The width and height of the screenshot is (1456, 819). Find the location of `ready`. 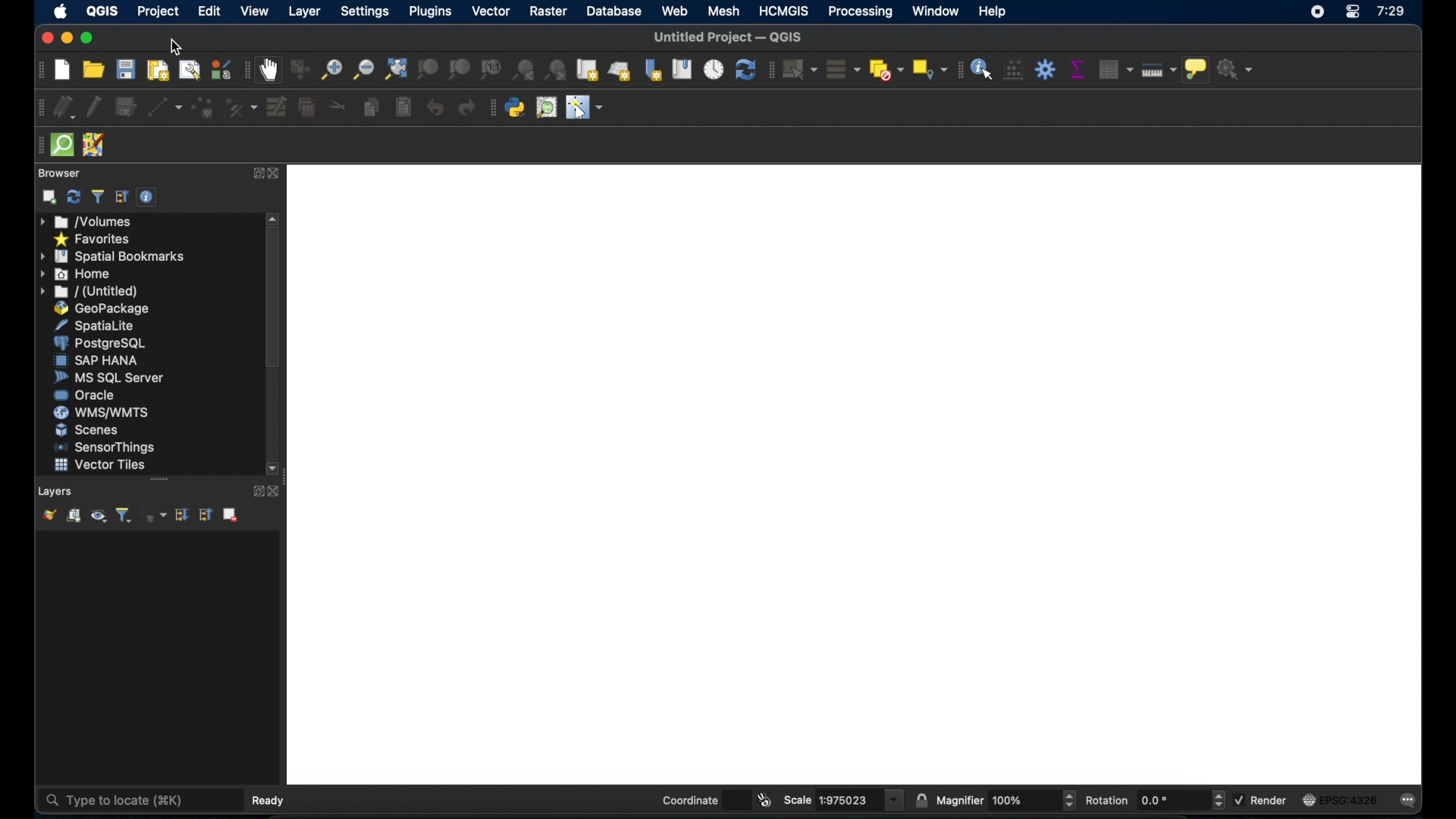

ready is located at coordinates (270, 800).